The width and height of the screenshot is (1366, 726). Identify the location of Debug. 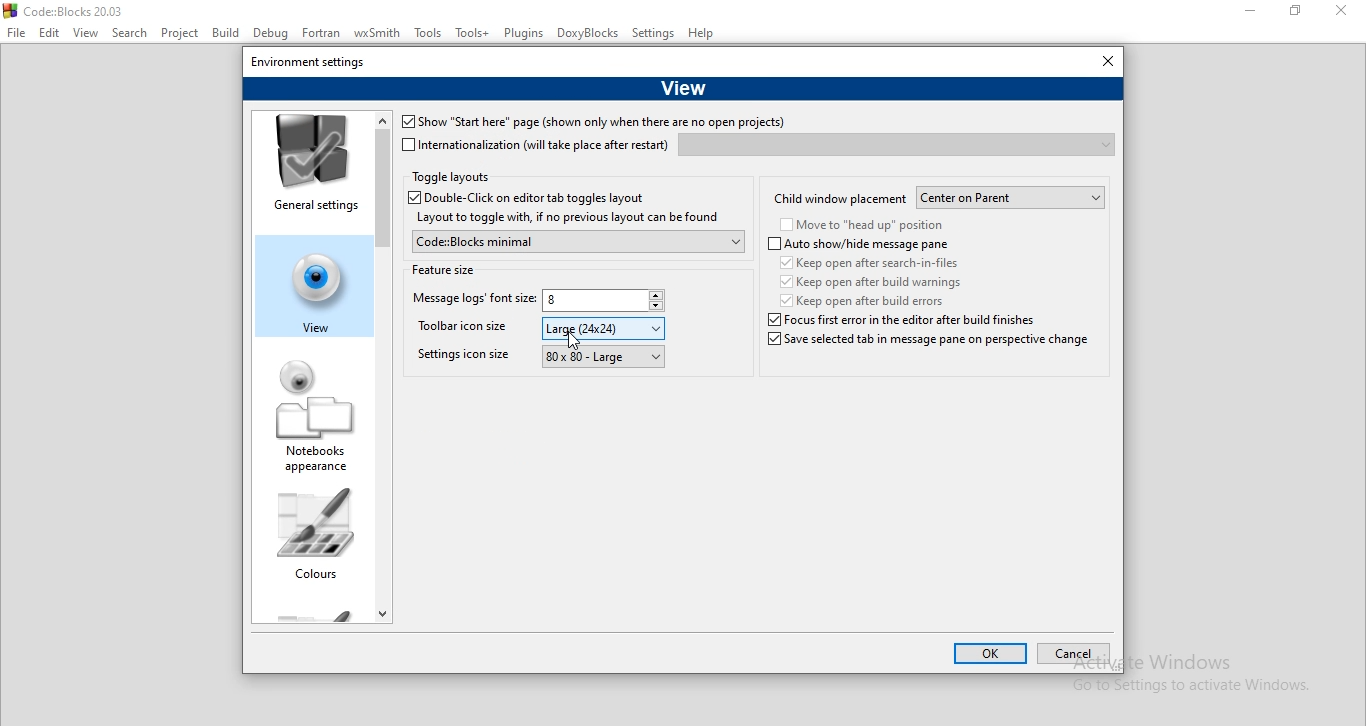
(269, 34).